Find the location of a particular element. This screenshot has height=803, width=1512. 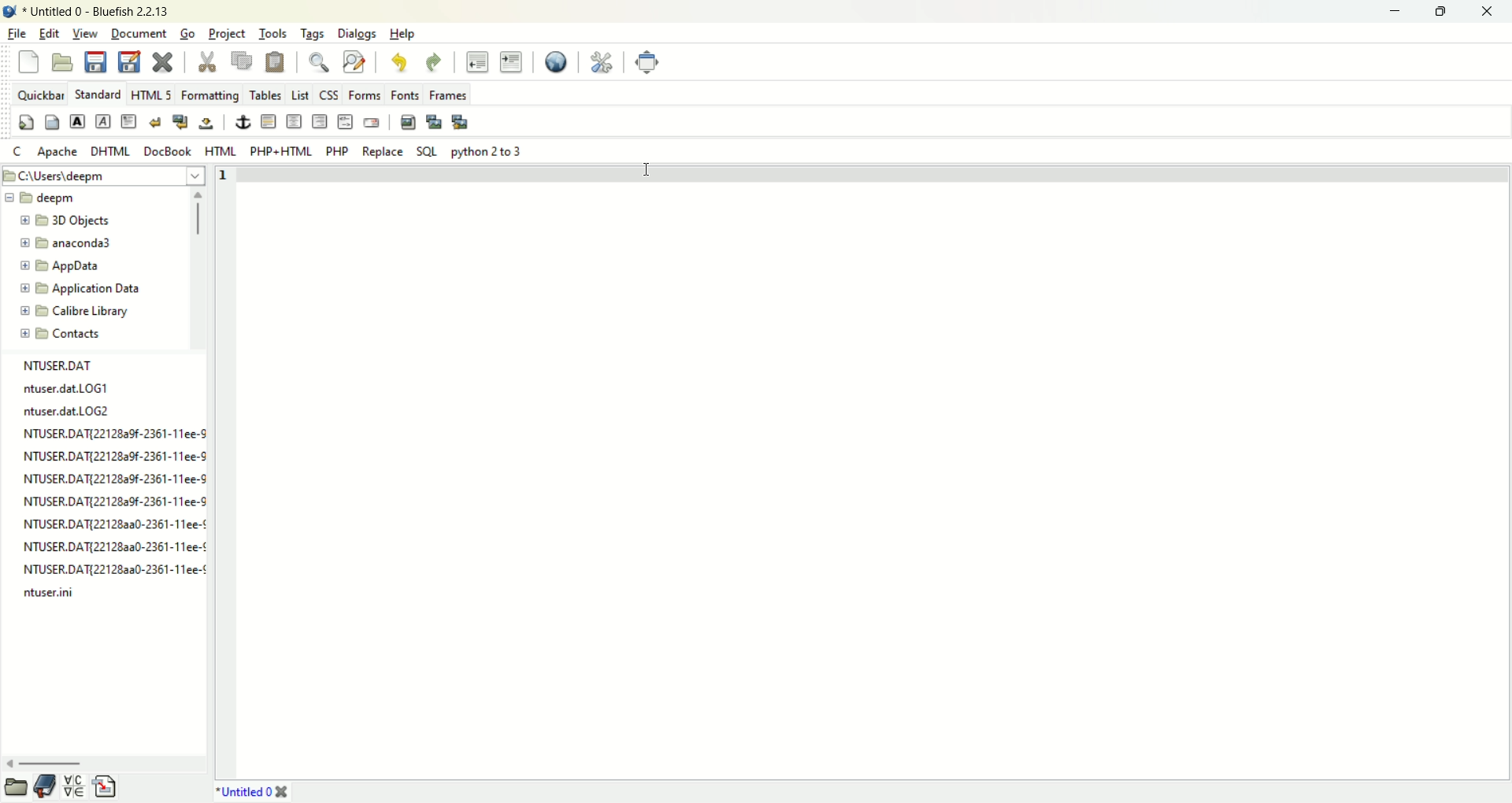

Contacts is located at coordinates (78, 333).